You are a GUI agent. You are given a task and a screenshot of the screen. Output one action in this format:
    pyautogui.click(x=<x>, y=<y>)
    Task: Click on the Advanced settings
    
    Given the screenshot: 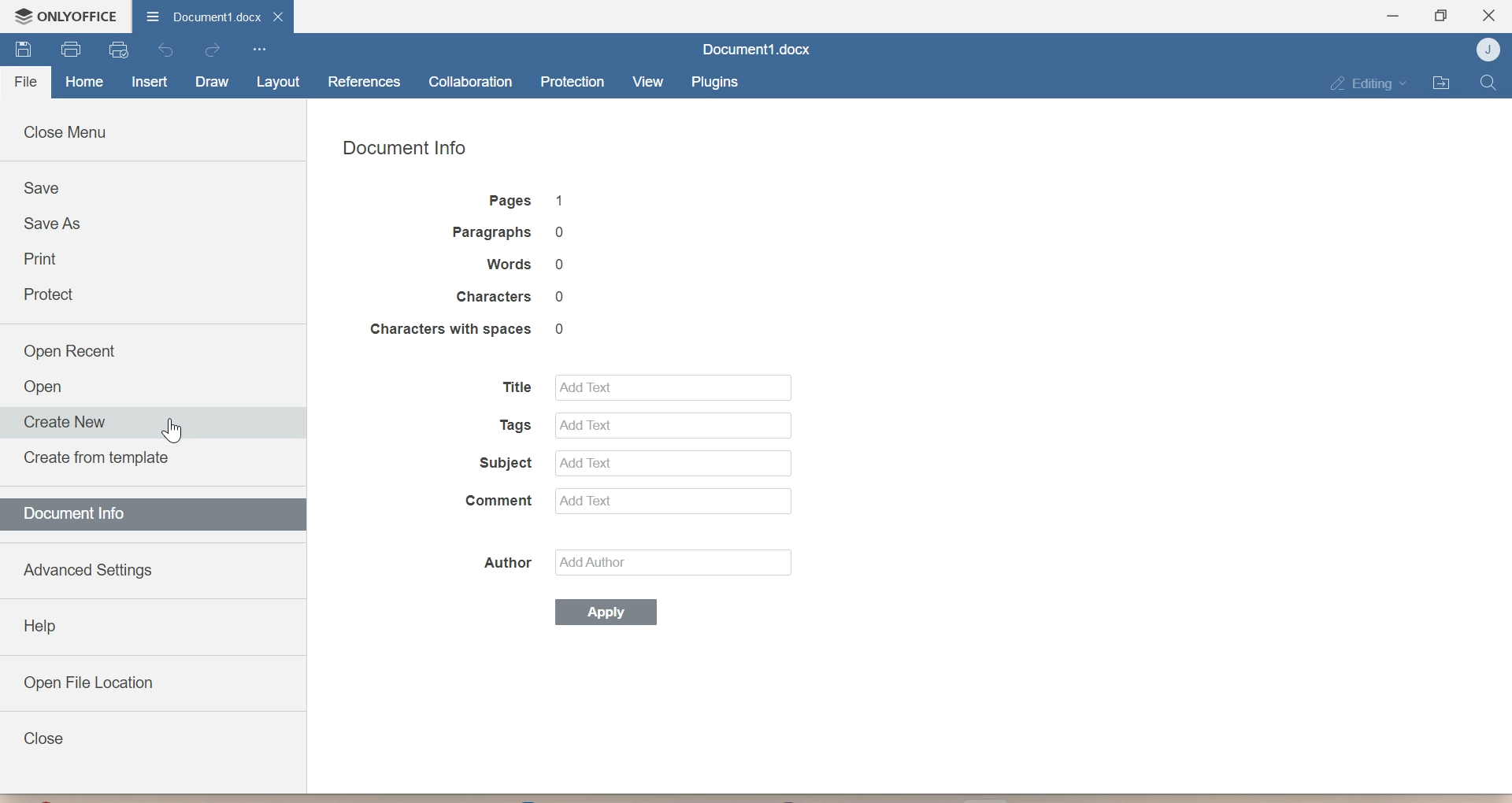 What is the action you would take?
    pyautogui.click(x=87, y=567)
    